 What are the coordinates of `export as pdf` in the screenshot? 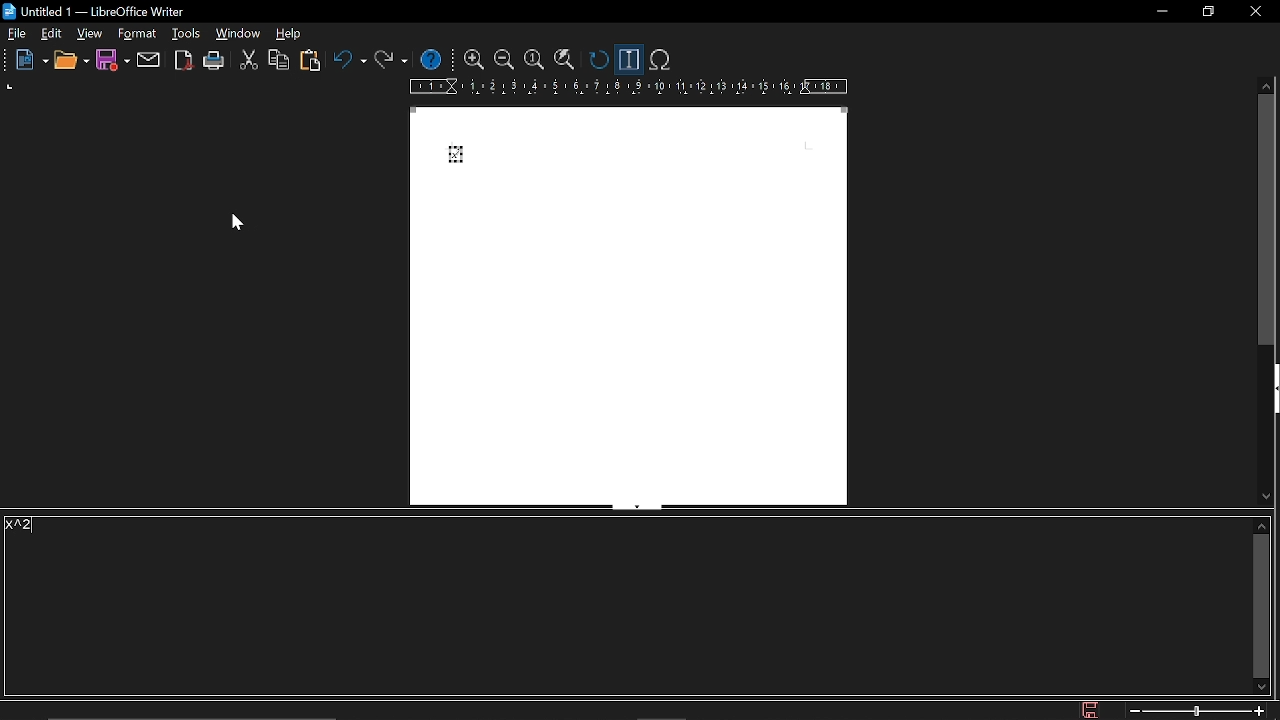 It's located at (182, 60).